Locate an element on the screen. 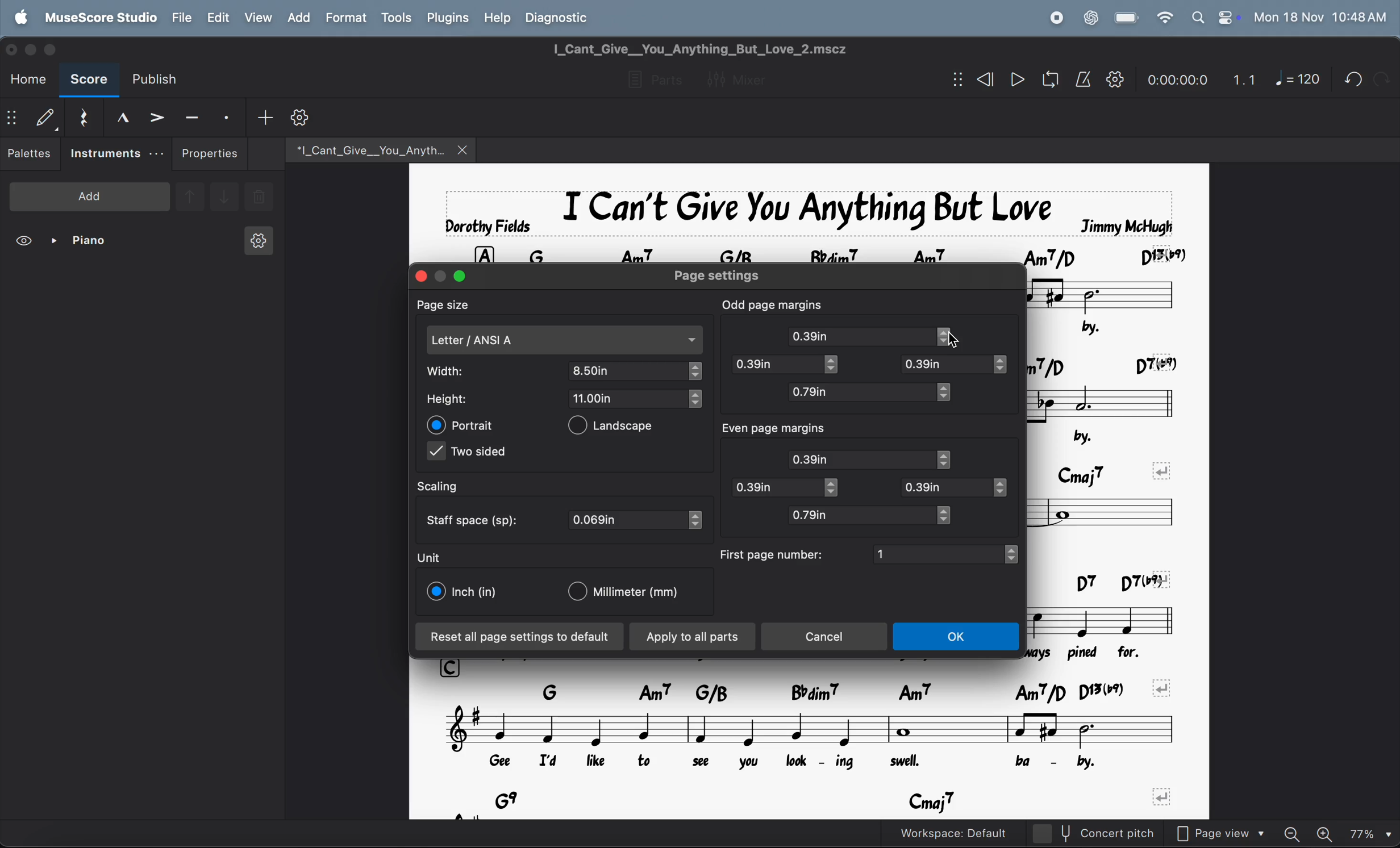 The image size is (1400, 848). concert pitch is located at coordinates (1116, 833).